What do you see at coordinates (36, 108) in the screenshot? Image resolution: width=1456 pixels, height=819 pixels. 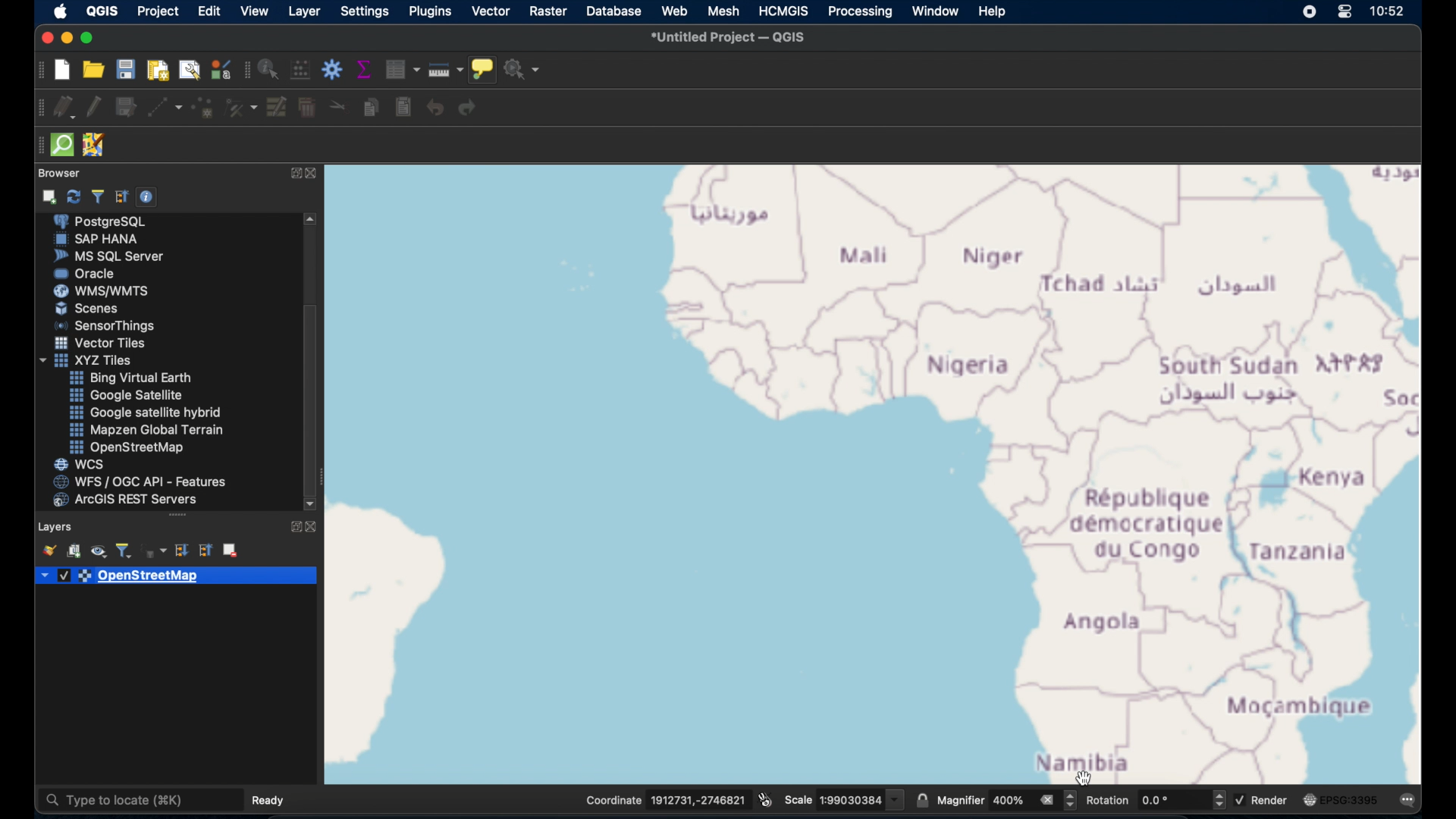 I see `digitizing toolbar` at bounding box center [36, 108].